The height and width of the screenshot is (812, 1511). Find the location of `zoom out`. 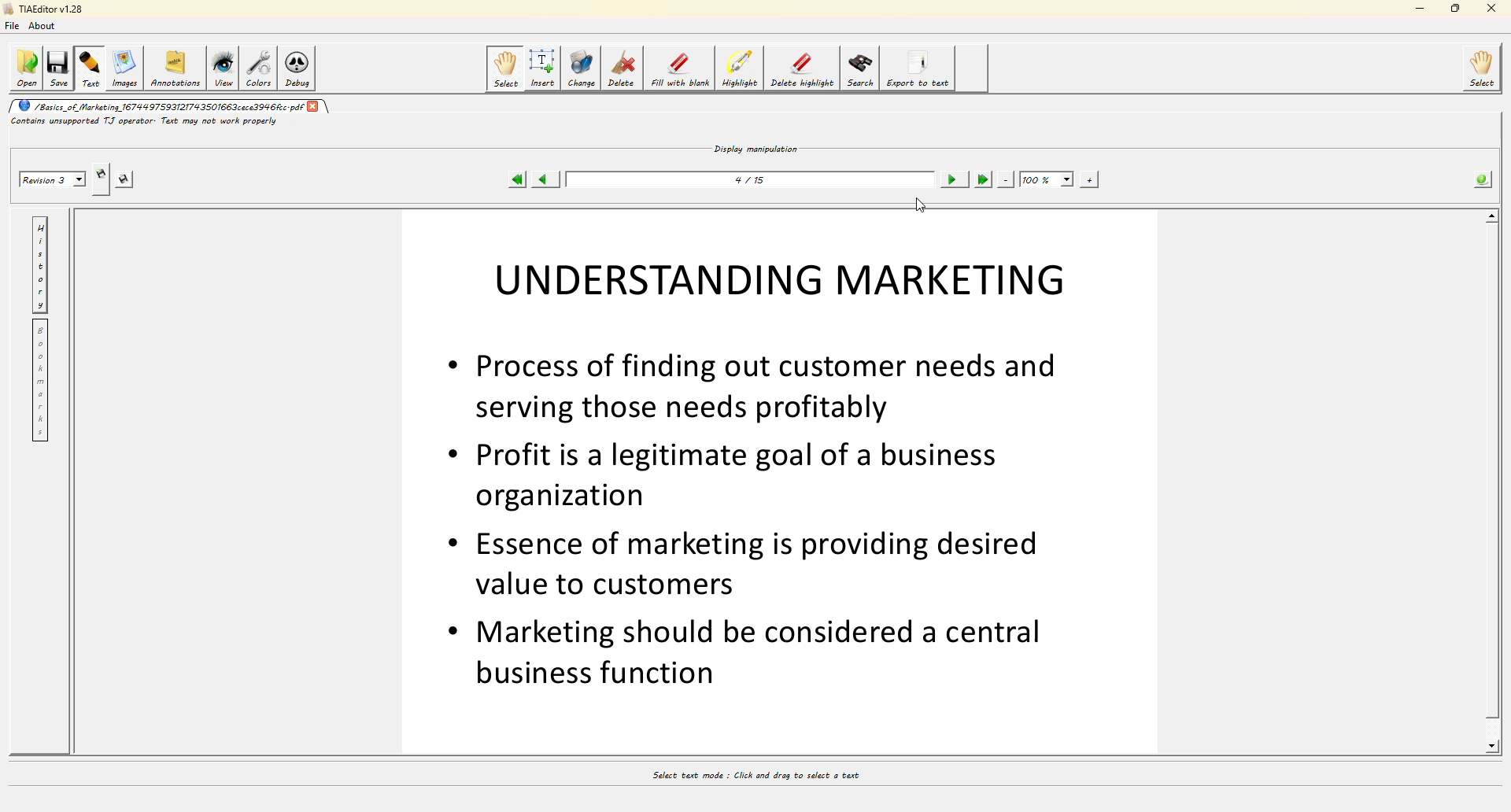

zoom out is located at coordinates (1005, 179).